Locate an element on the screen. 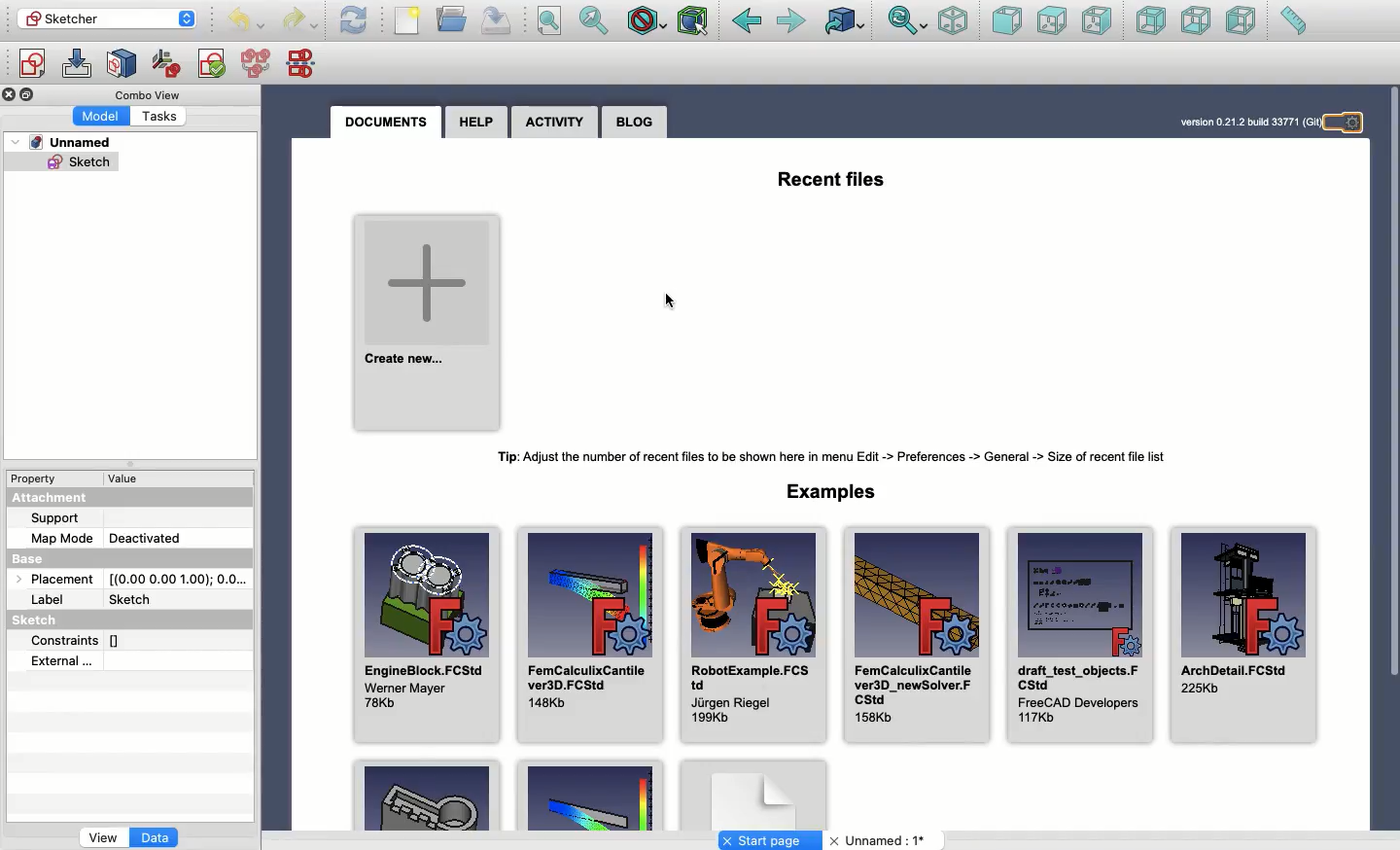 The image size is (1400, 850). Measure is located at coordinates (1293, 22).